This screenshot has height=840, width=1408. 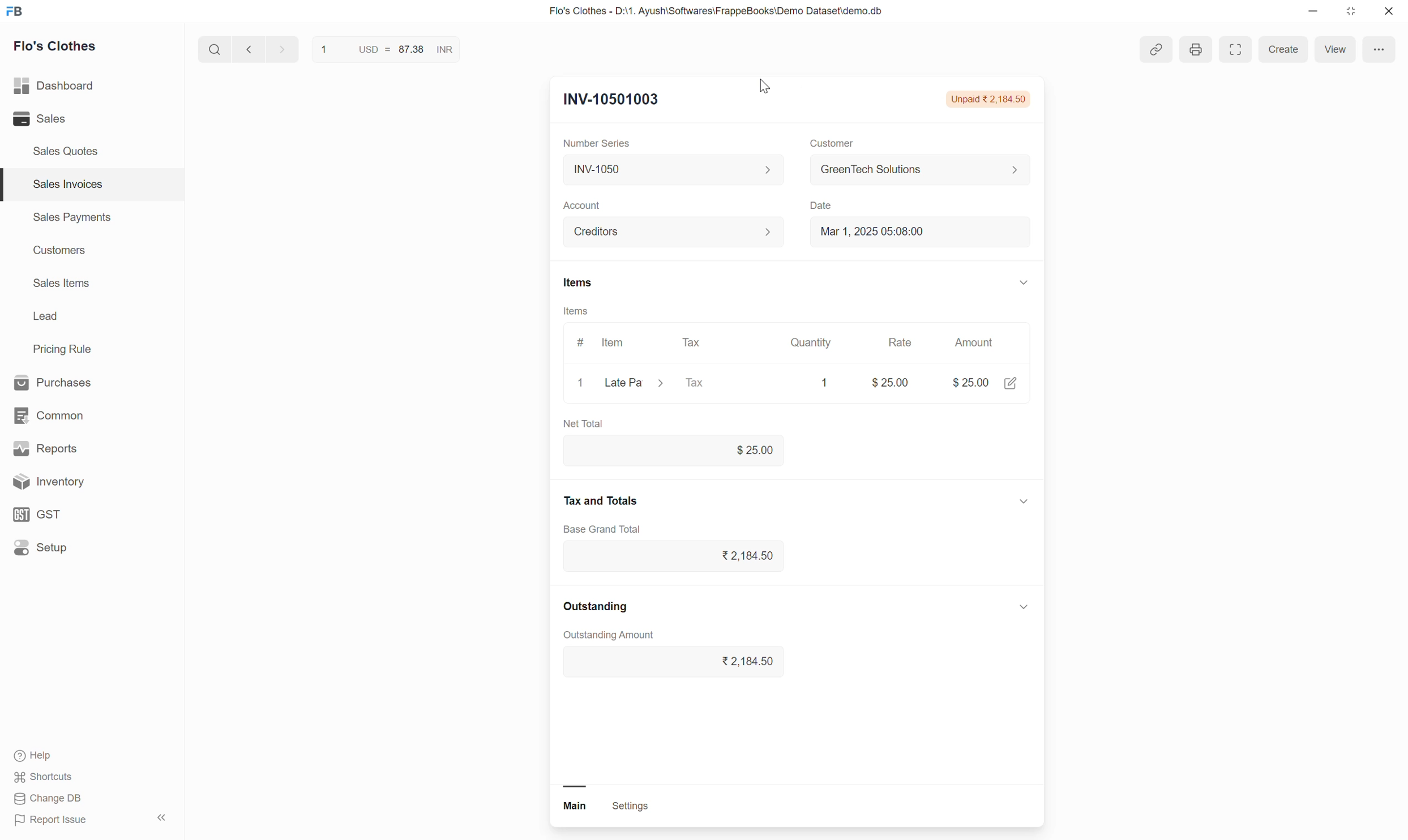 I want to click on Rate, so click(x=901, y=340).